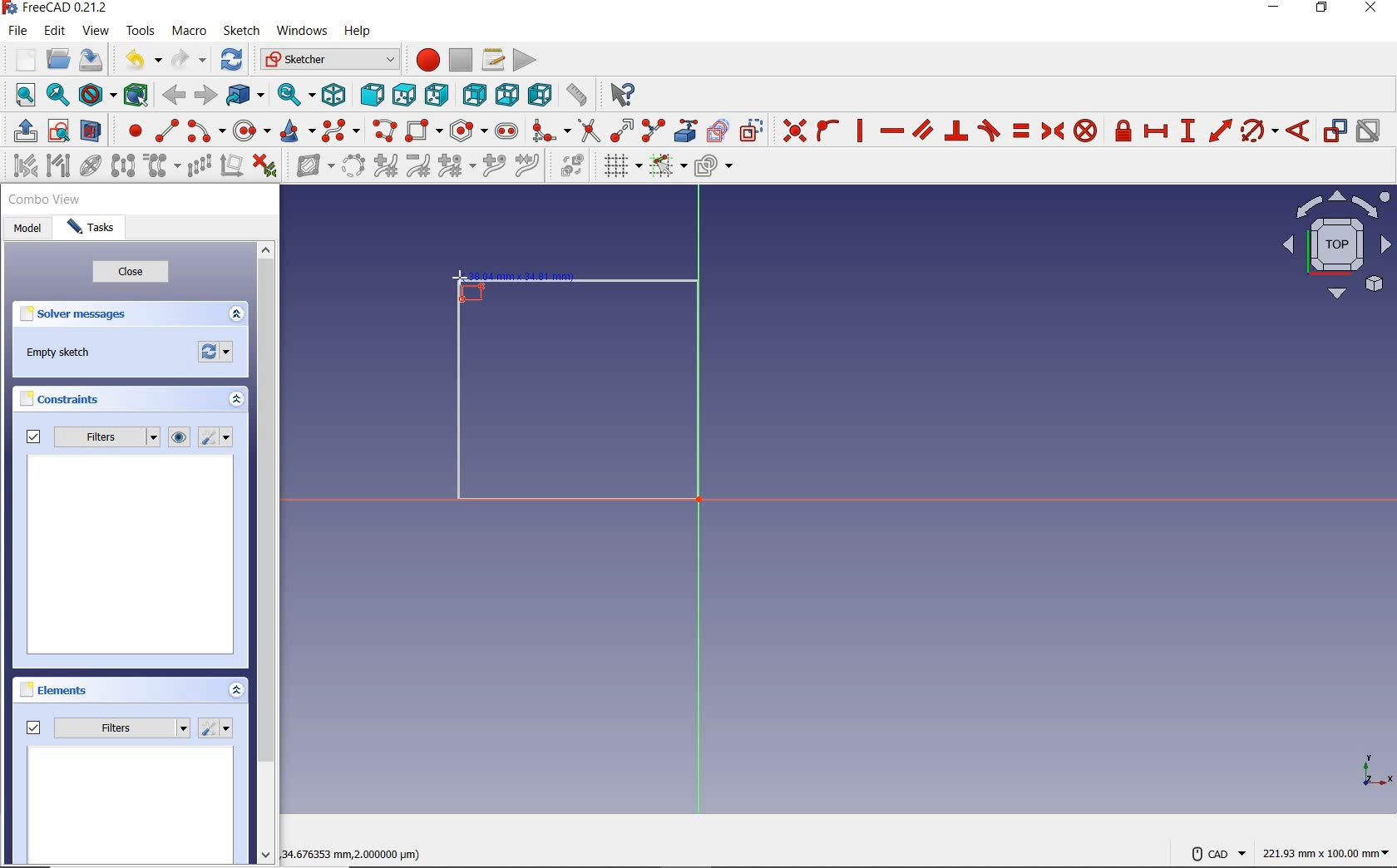 The image size is (1397, 868). I want to click on leave sketch, so click(21, 131).